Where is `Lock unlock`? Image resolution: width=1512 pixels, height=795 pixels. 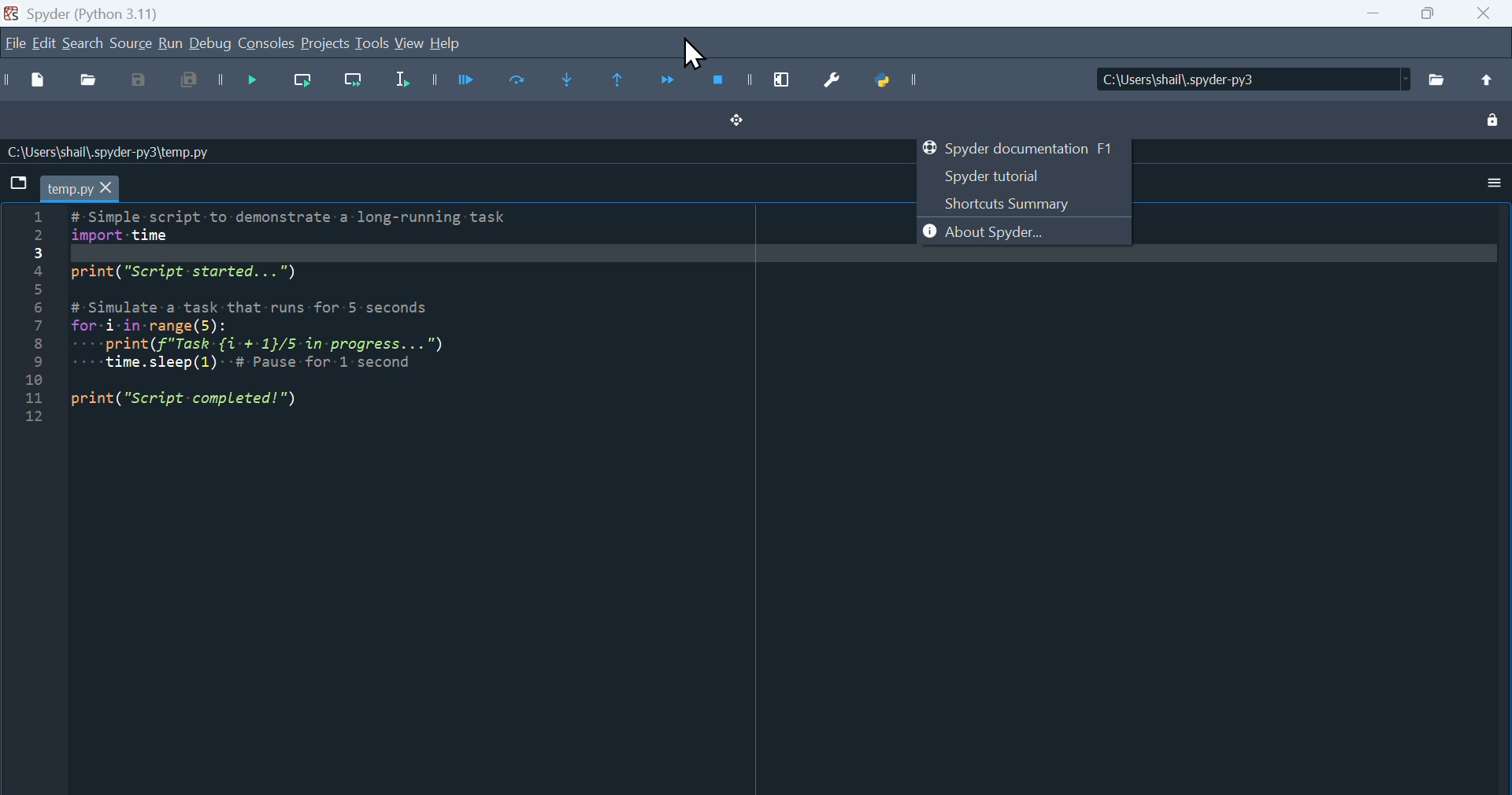
Lock unlock is located at coordinates (1492, 122).